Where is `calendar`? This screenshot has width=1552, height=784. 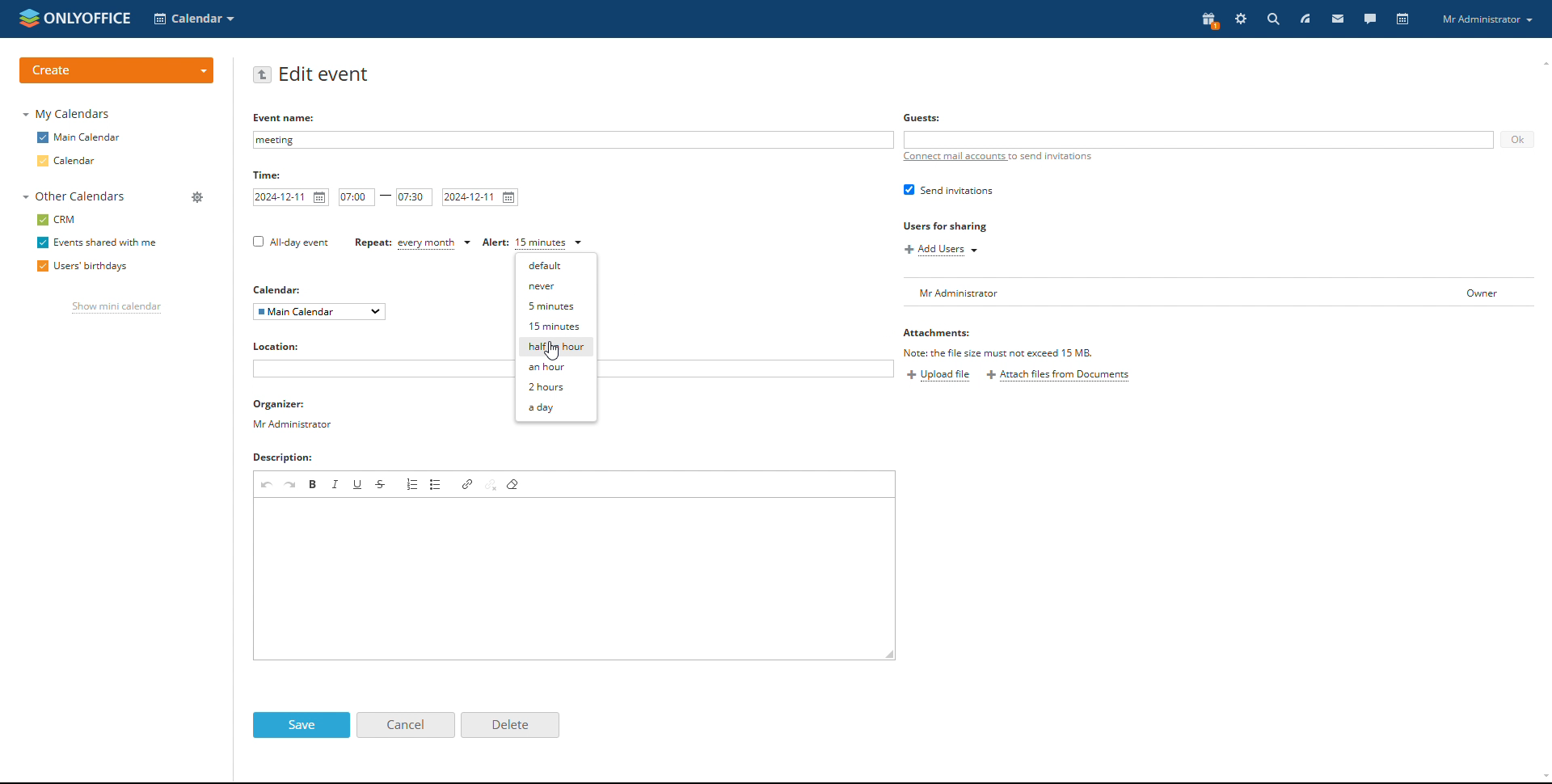
calendar is located at coordinates (82, 162).